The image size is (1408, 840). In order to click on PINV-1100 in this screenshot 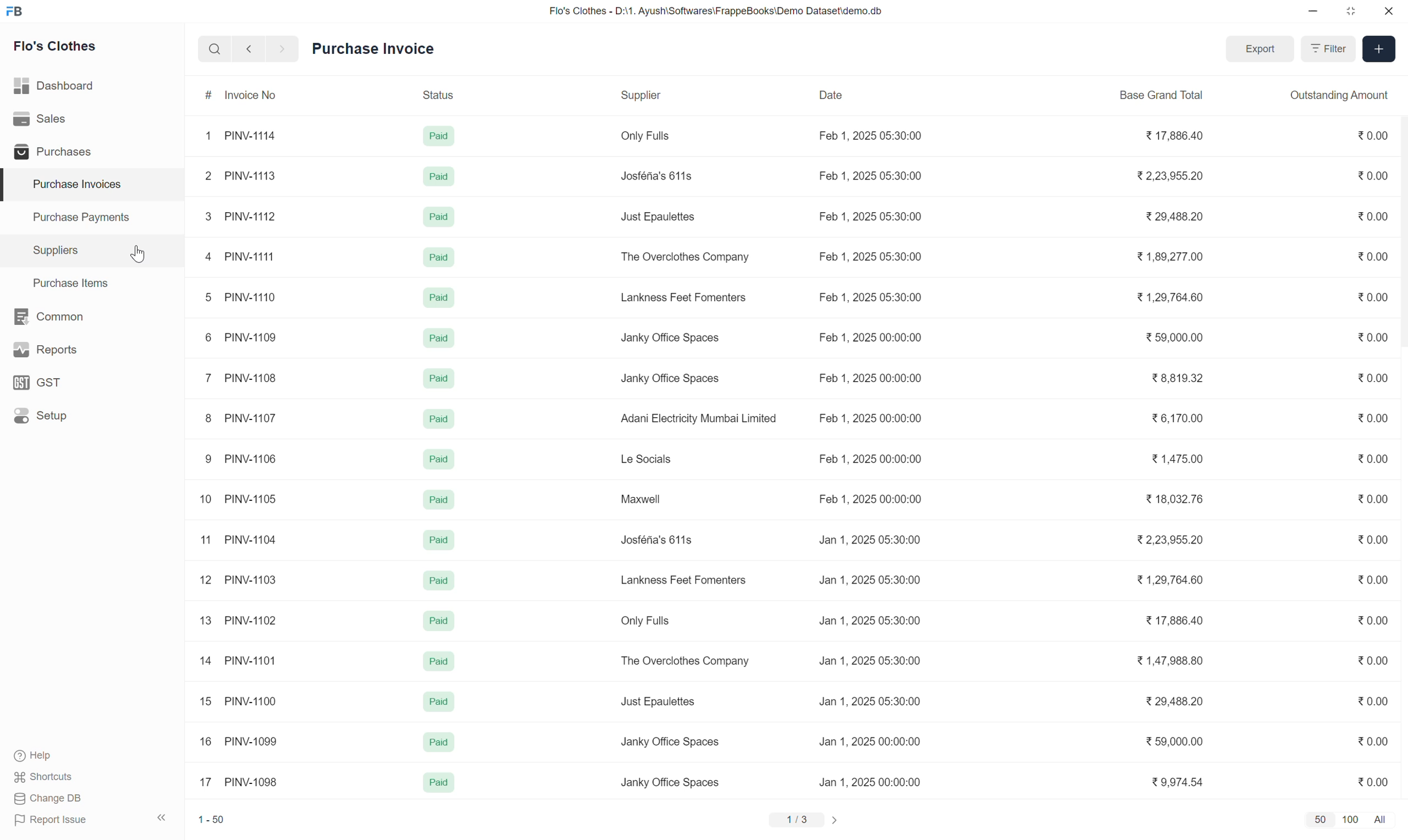, I will do `click(252, 701)`.